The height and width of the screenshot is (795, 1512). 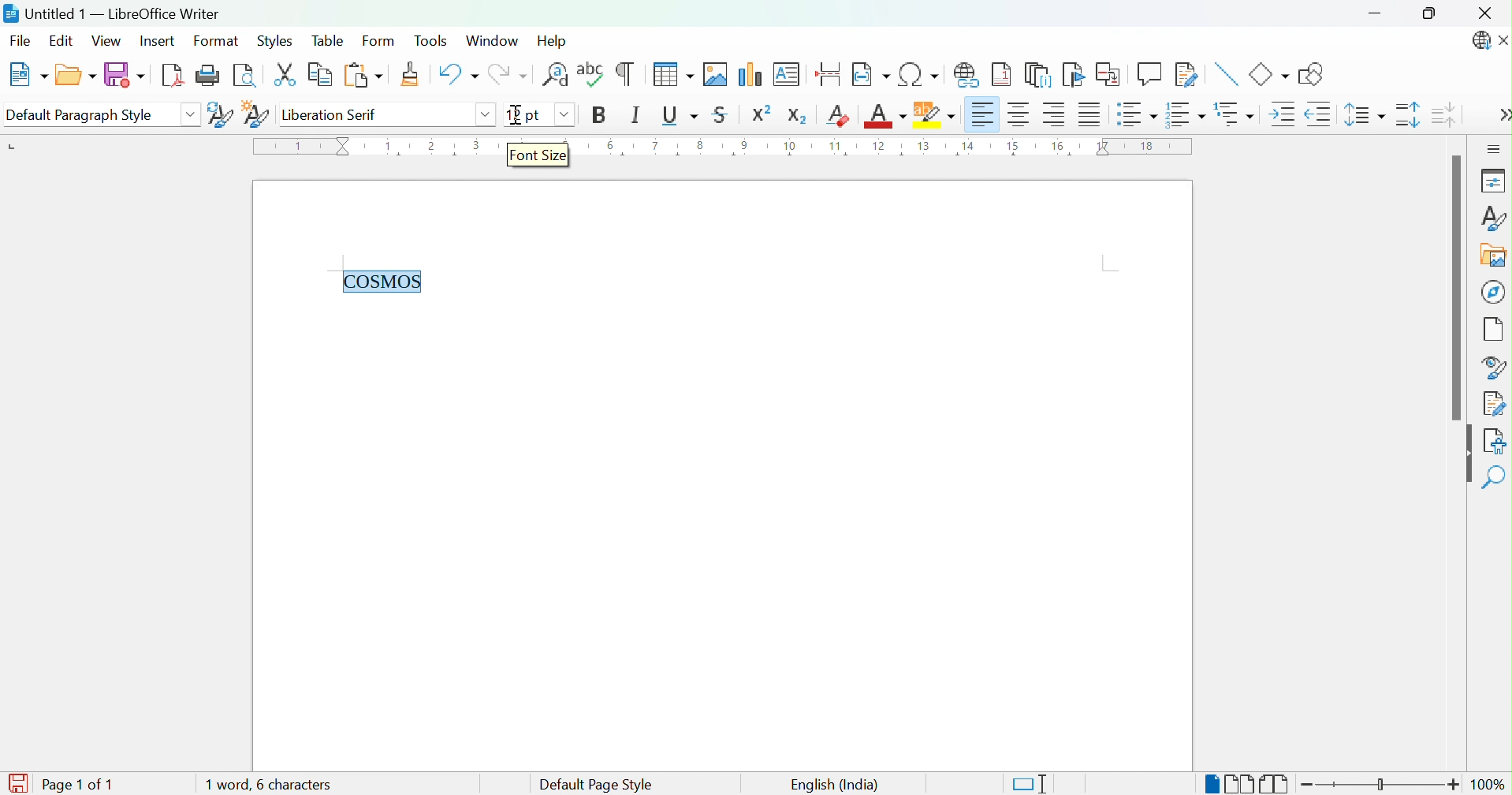 What do you see at coordinates (1089, 116) in the screenshot?
I see `Justified` at bounding box center [1089, 116].